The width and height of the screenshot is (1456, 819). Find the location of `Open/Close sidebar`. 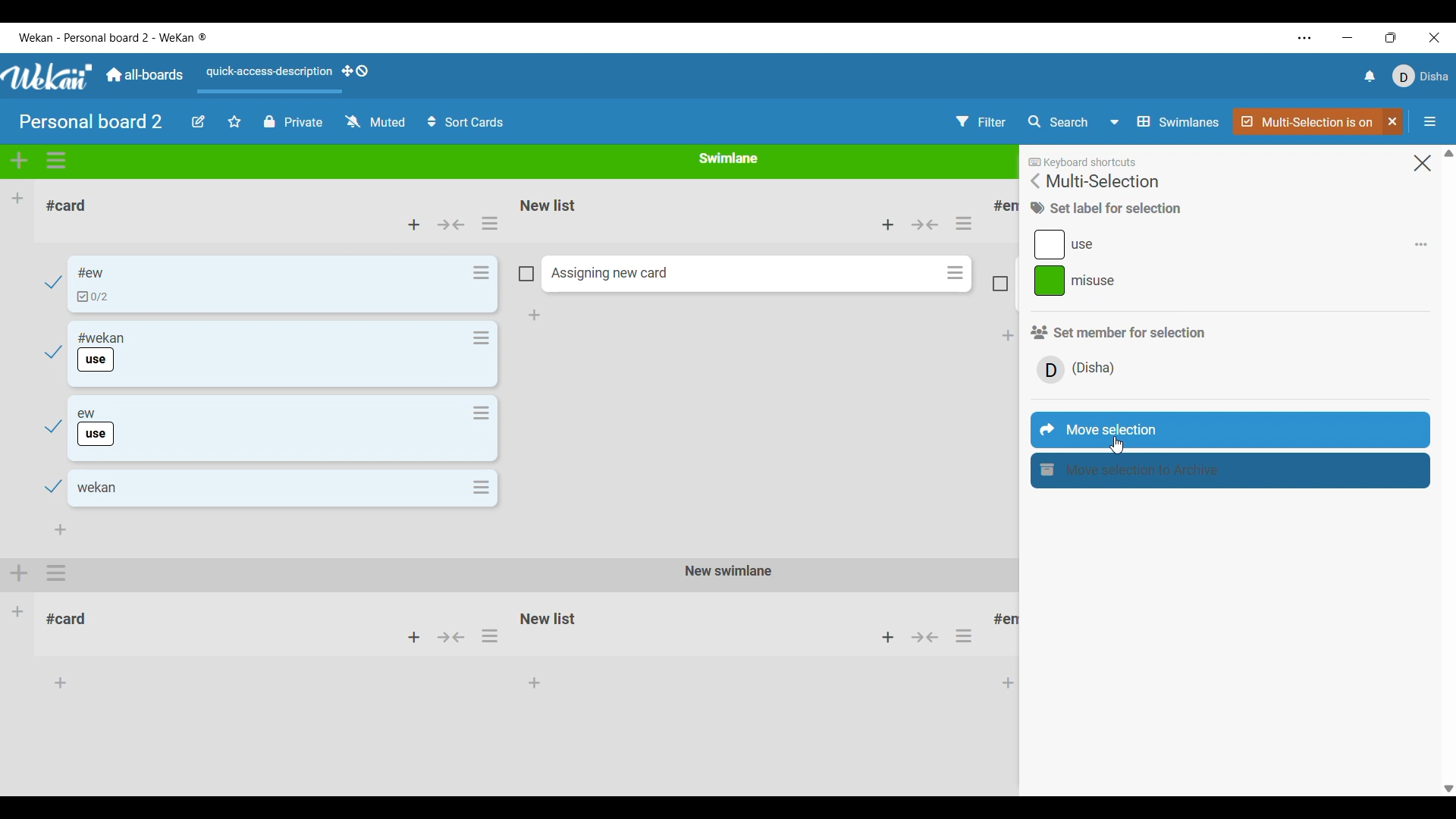

Open/Close sidebar is located at coordinates (1430, 121).